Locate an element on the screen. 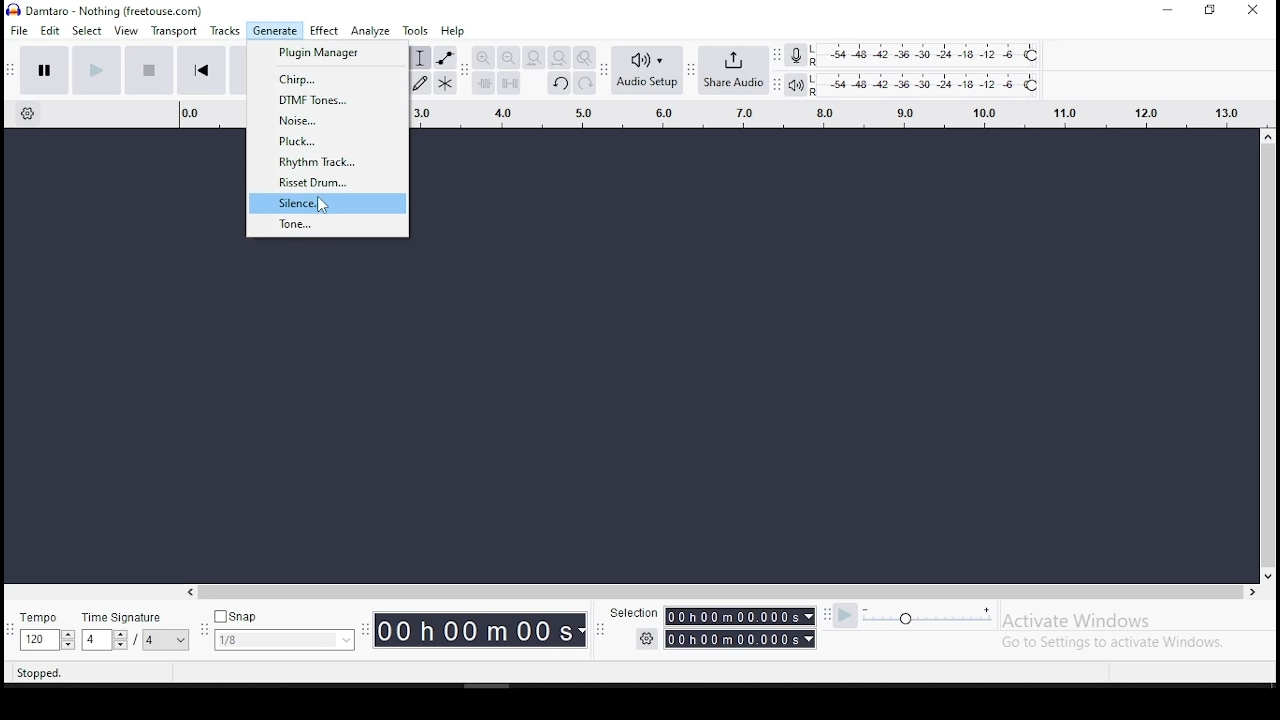  restore is located at coordinates (1212, 10).